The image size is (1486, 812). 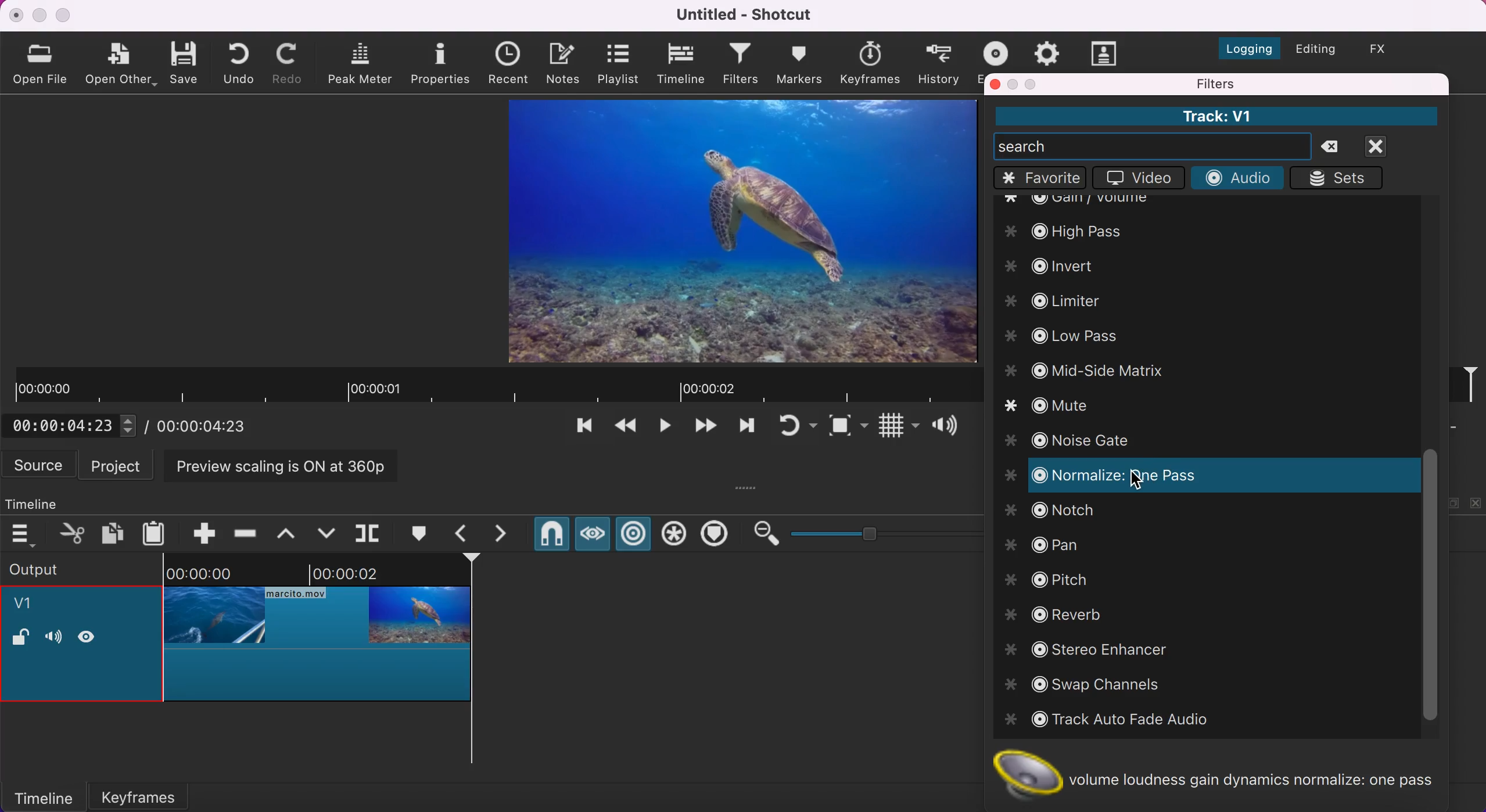 I want to click on close, so click(x=996, y=84).